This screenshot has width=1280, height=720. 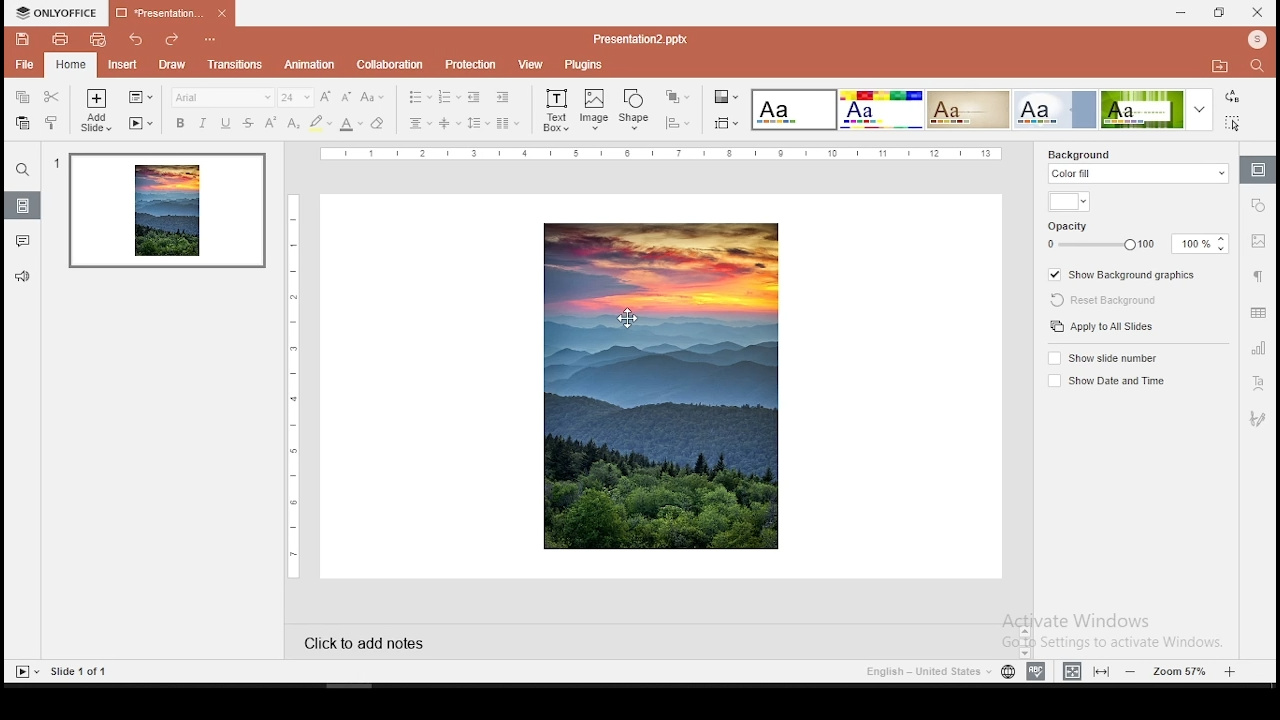 I want to click on click to add notes, so click(x=371, y=643).